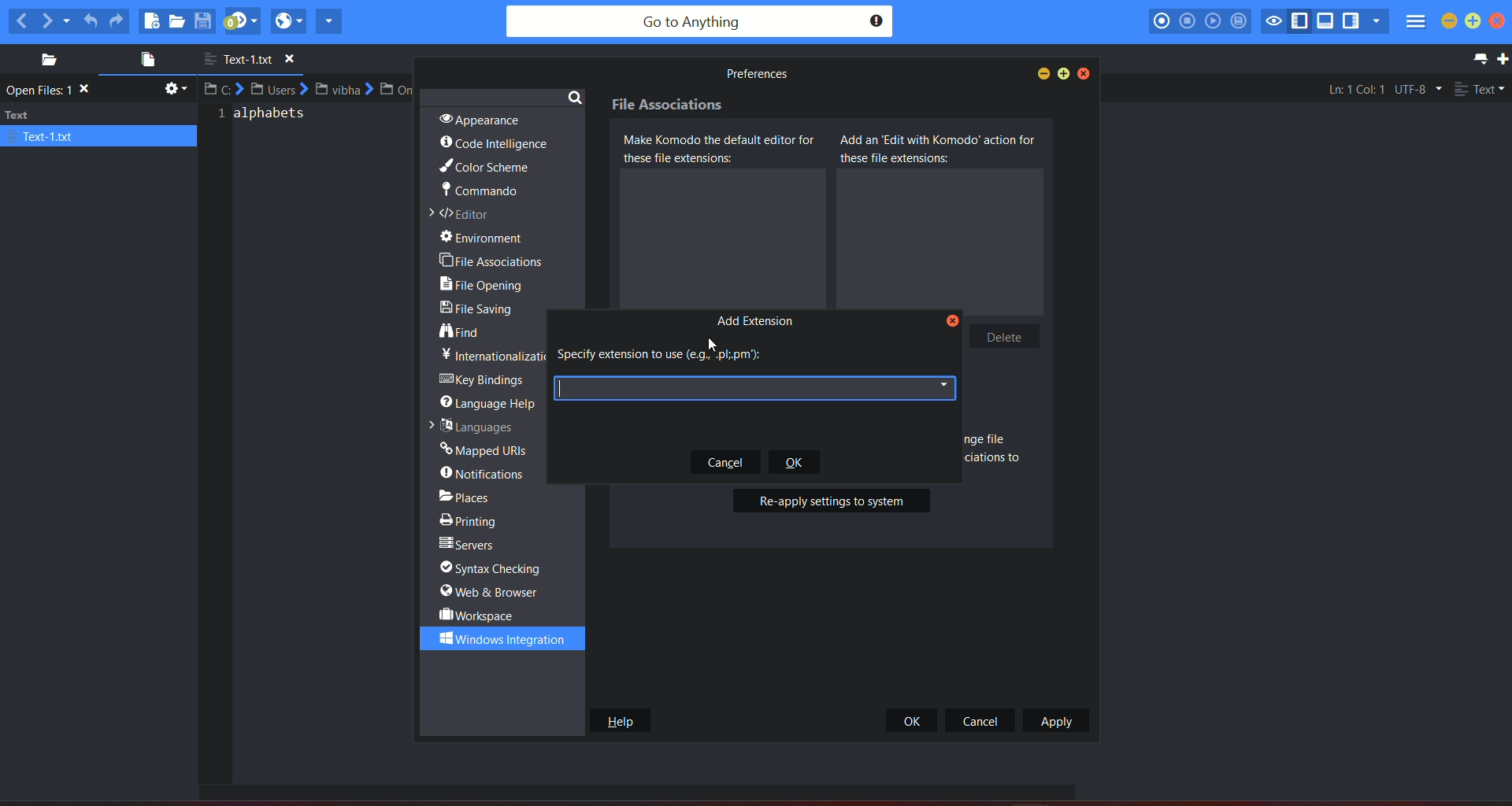  Describe the element at coordinates (1502, 22) in the screenshot. I see `close` at that location.